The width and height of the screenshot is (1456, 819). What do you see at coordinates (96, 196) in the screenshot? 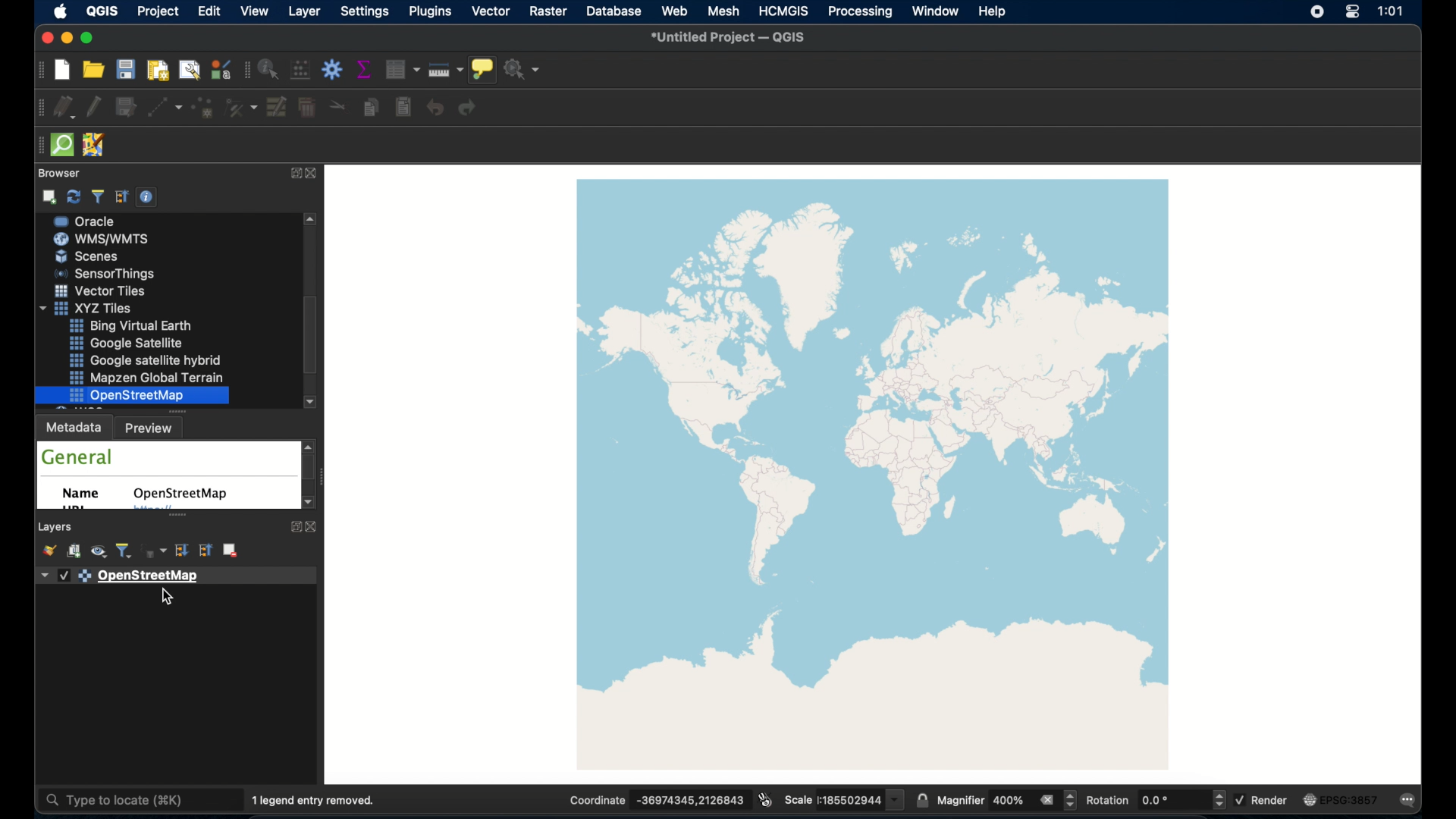
I see `filter browser` at bounding box center [96, 196].